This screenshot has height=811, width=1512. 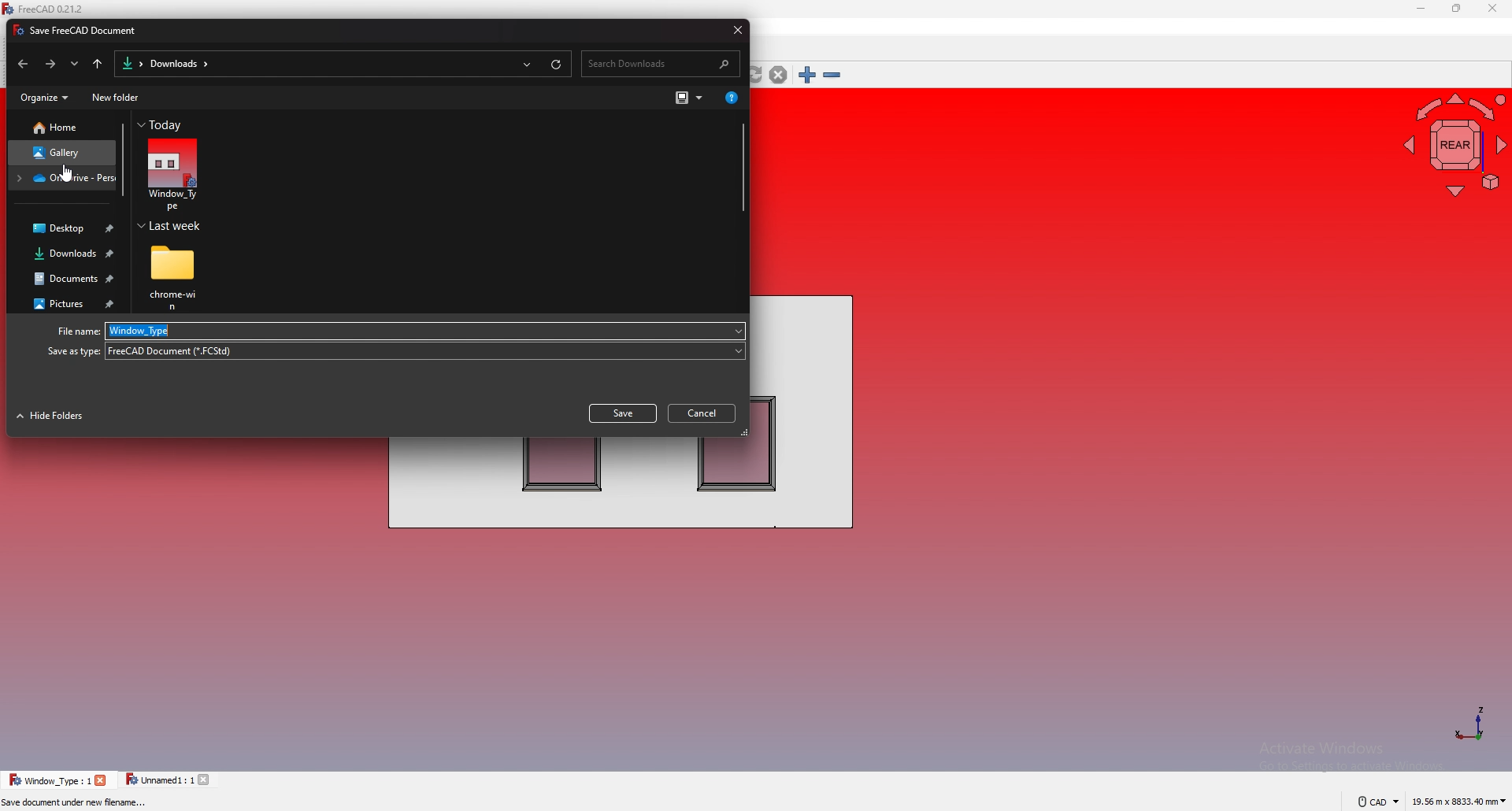 I want to click on Downloads, so click(x=178, y=64).